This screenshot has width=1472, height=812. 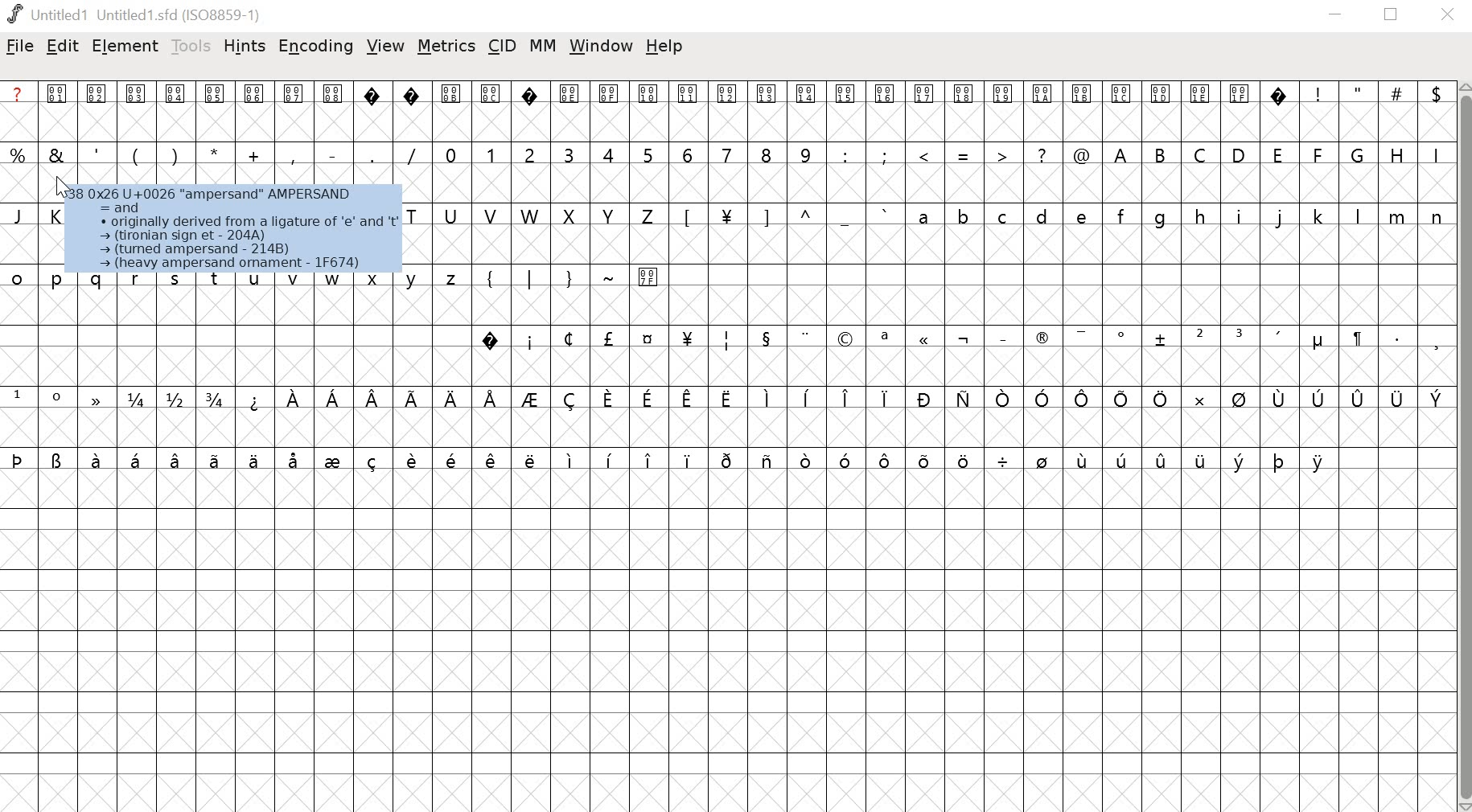 What do you see at coordinates (1200, 110) in the screenshot?
I see `001E` at bounding box center [1200, 110].